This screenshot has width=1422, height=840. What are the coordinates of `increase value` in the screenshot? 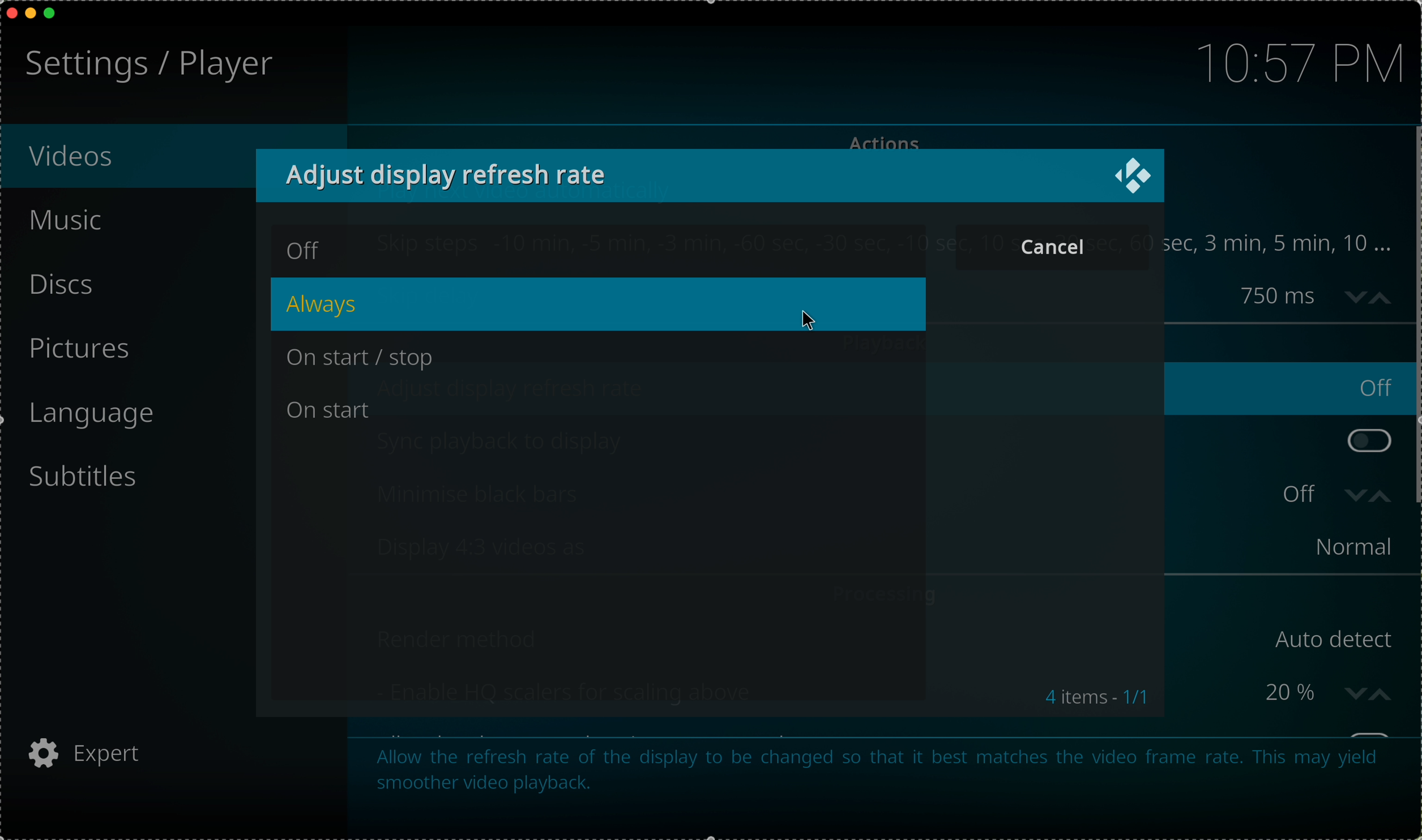 It's located at (1385, 499).